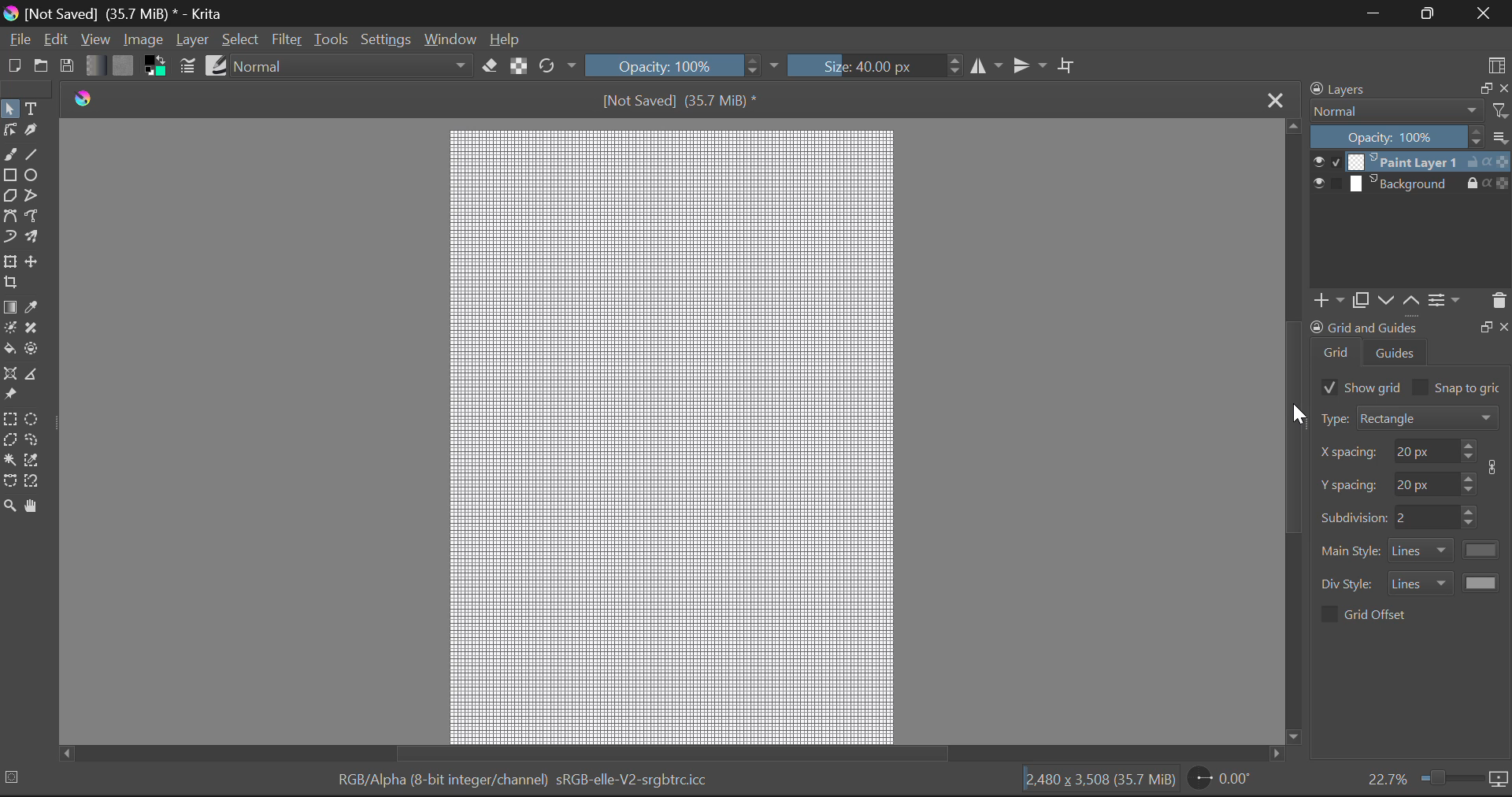 The height and width of the screenshot is (797, 1512). Describe the element at coordinates (11, 421) in the screenshot. I see `Rectangular Selection` at that location.